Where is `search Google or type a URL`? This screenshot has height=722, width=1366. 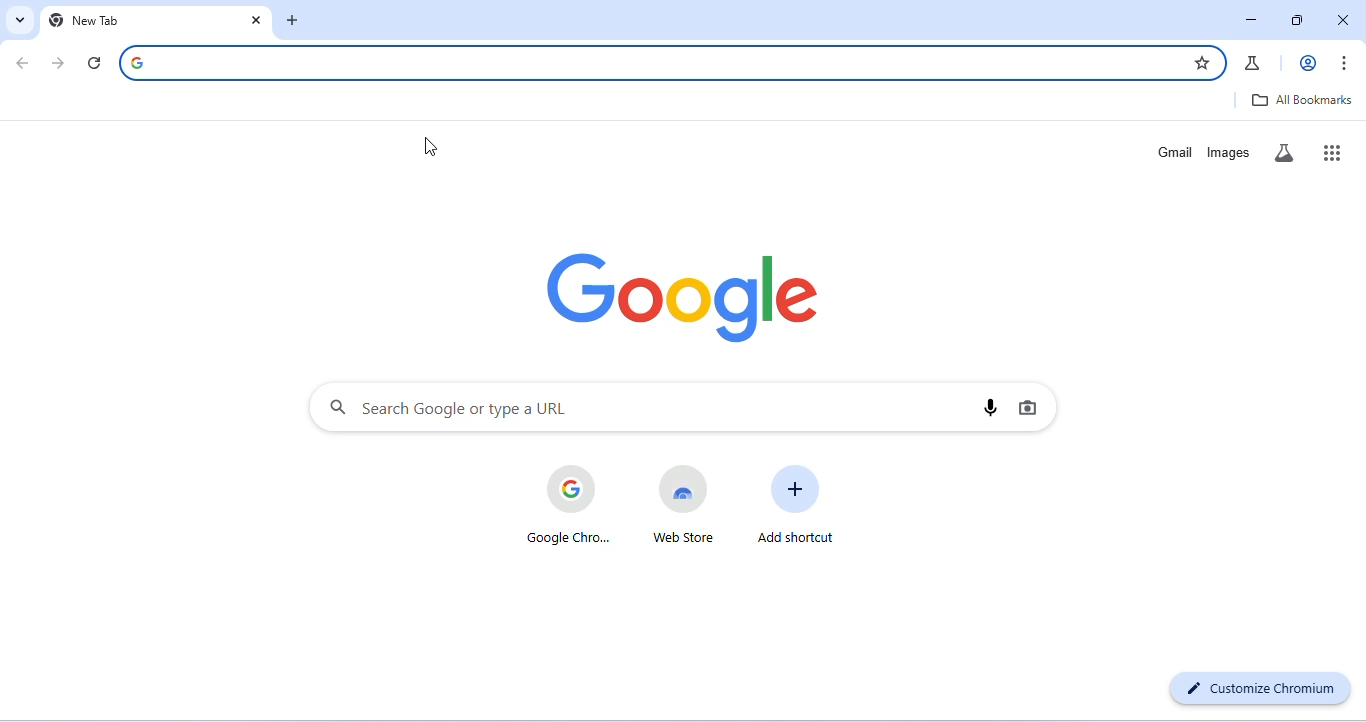 search Google or type a URL is located at coordinates (668, 61).